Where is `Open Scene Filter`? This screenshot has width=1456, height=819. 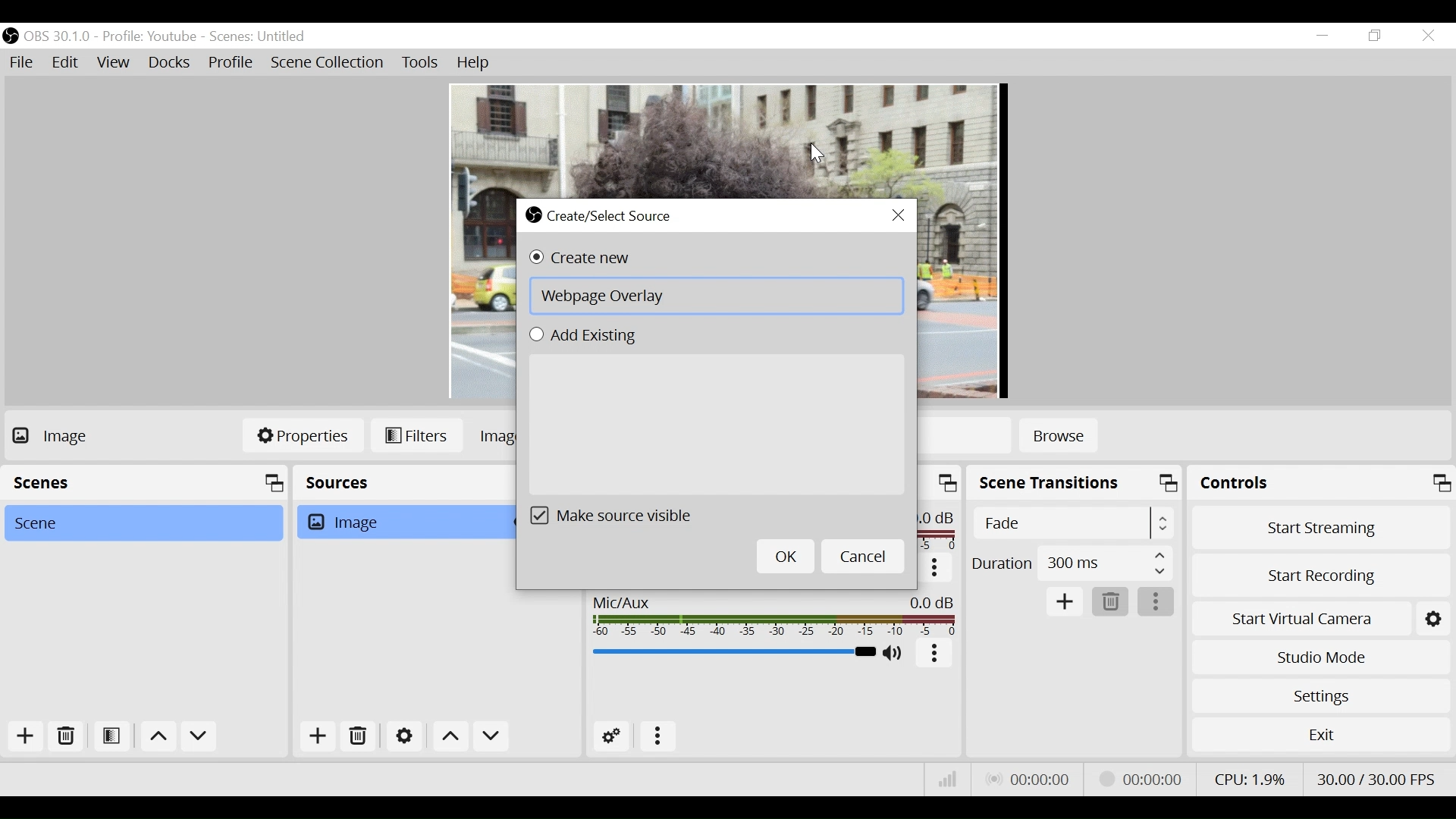 Open Scene Filter is located at coordinates (113, 738).